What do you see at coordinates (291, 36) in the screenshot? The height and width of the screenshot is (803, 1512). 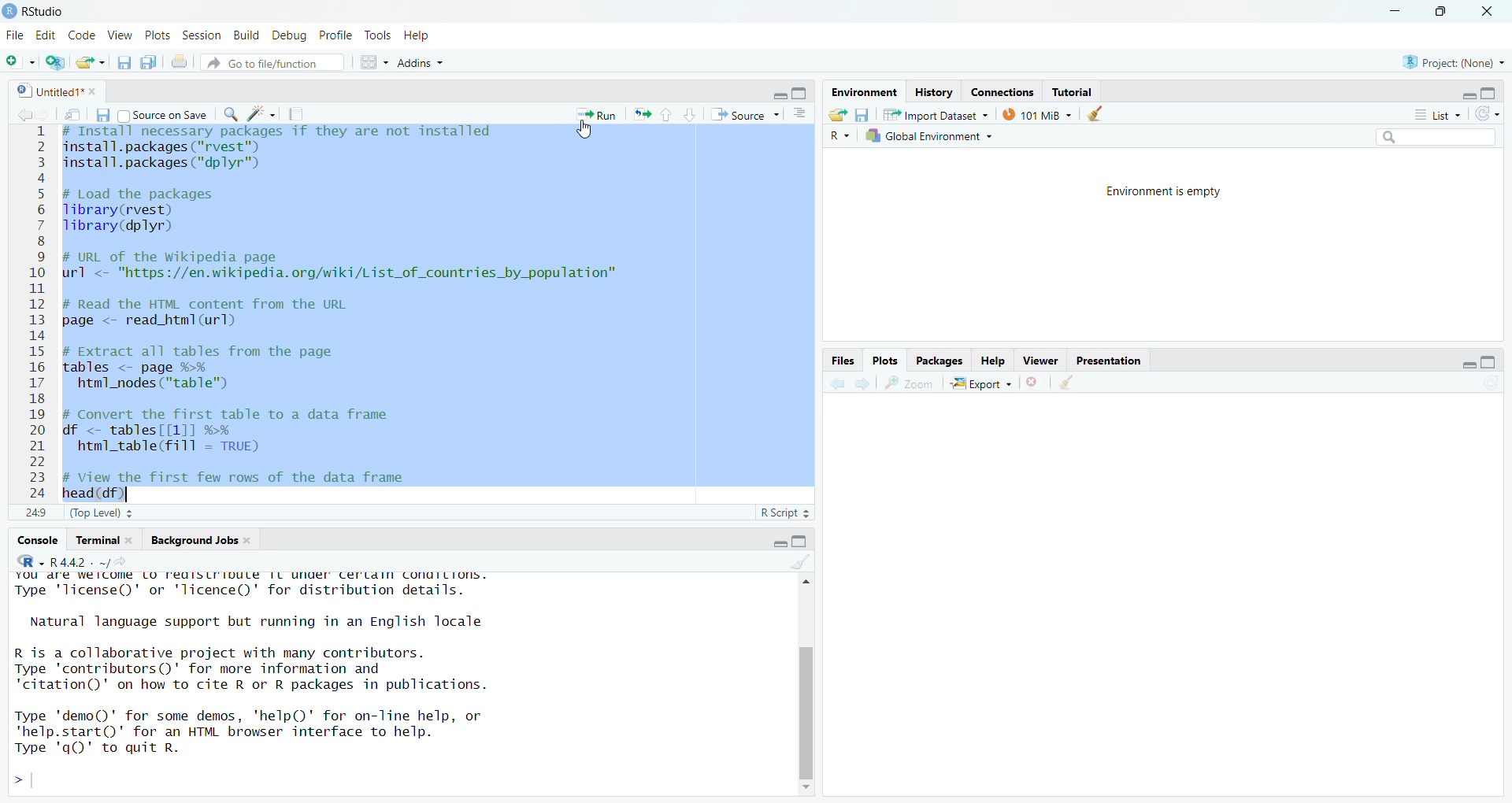 I see `Debug` at bounding box center [291, 36].